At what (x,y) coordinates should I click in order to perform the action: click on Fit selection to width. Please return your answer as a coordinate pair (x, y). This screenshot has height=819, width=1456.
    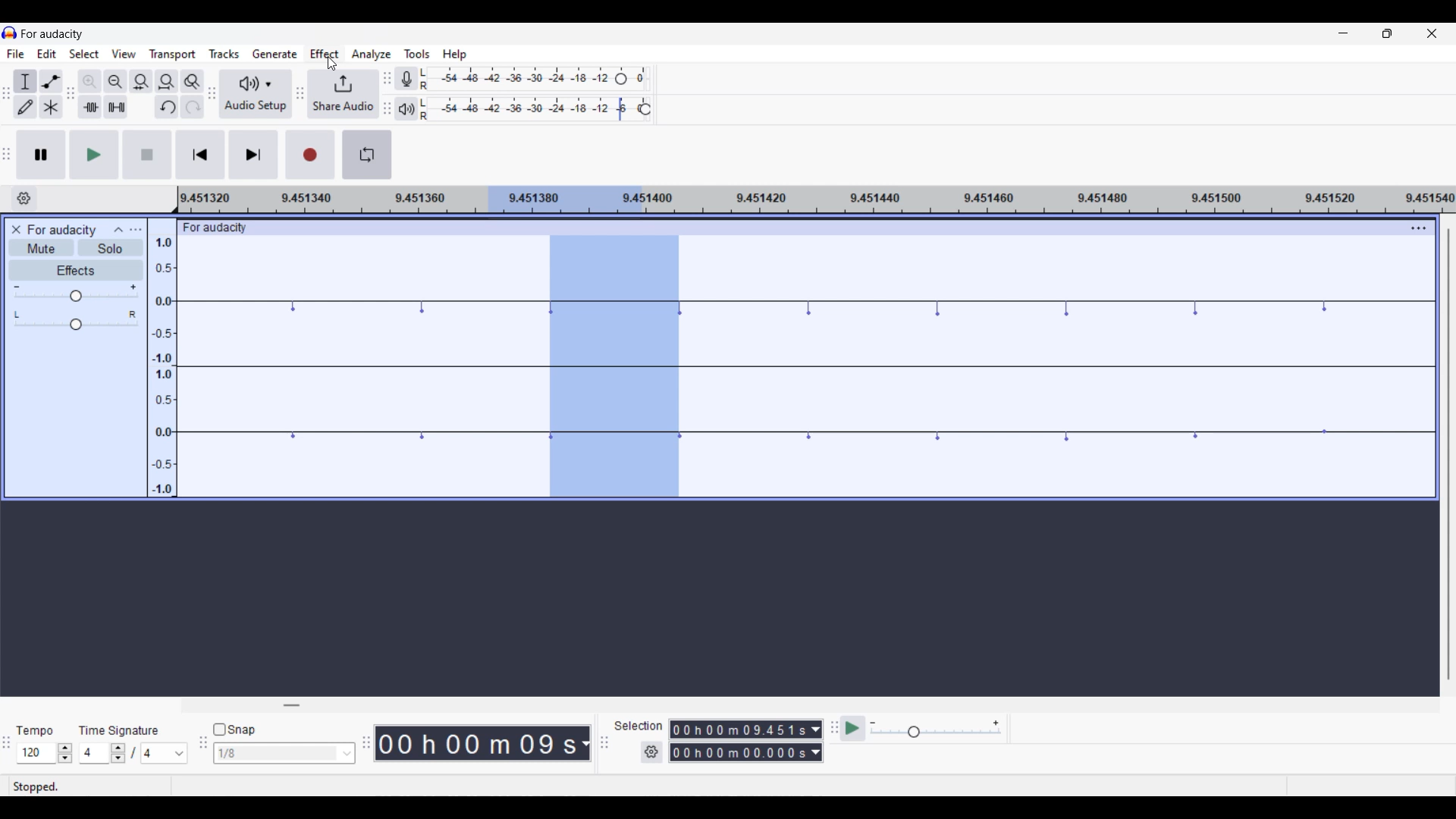
    Looking at the image, I should click on (142, 81).